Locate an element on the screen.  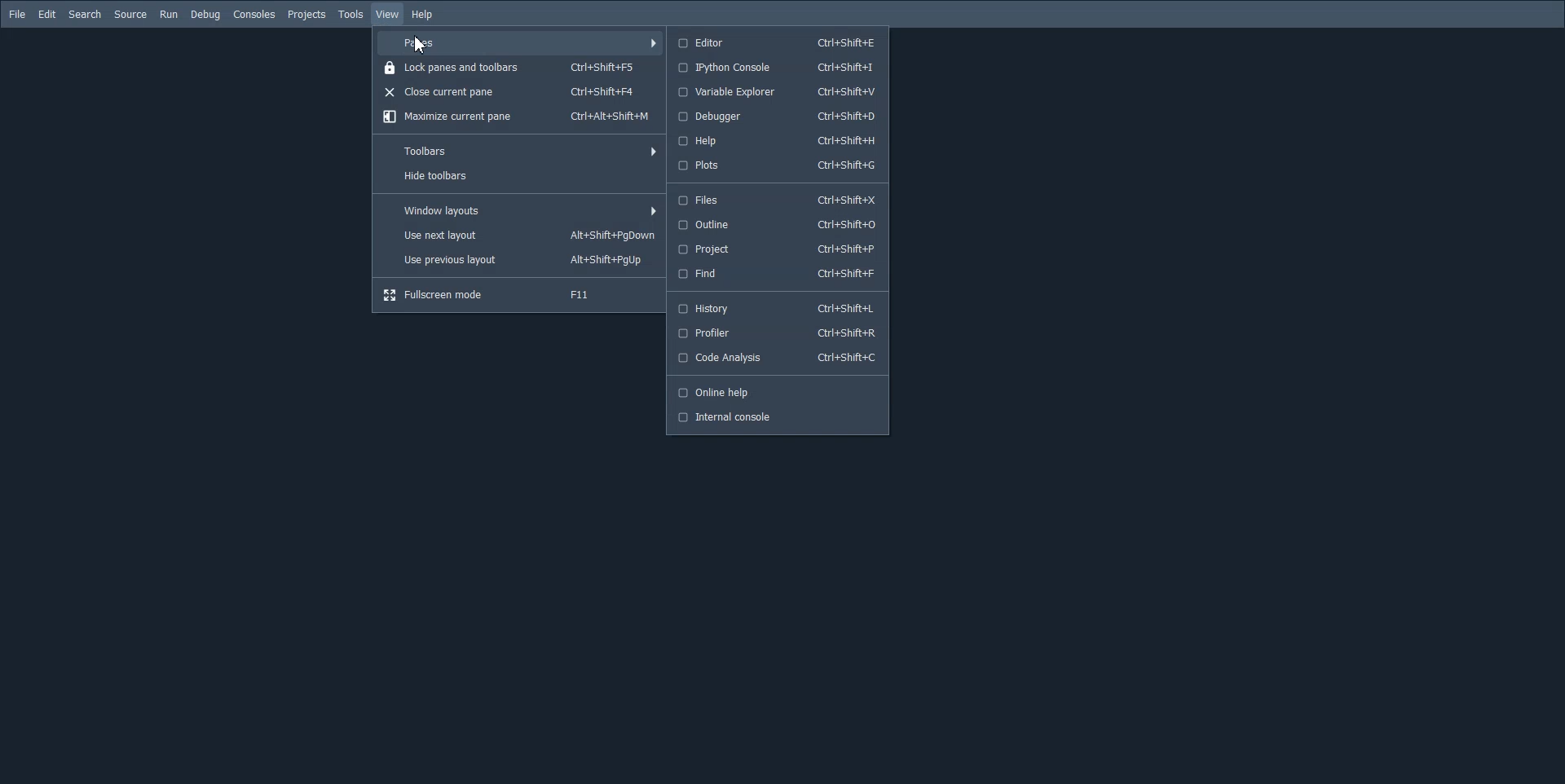
Consoles is located at coordinates (253, 14).